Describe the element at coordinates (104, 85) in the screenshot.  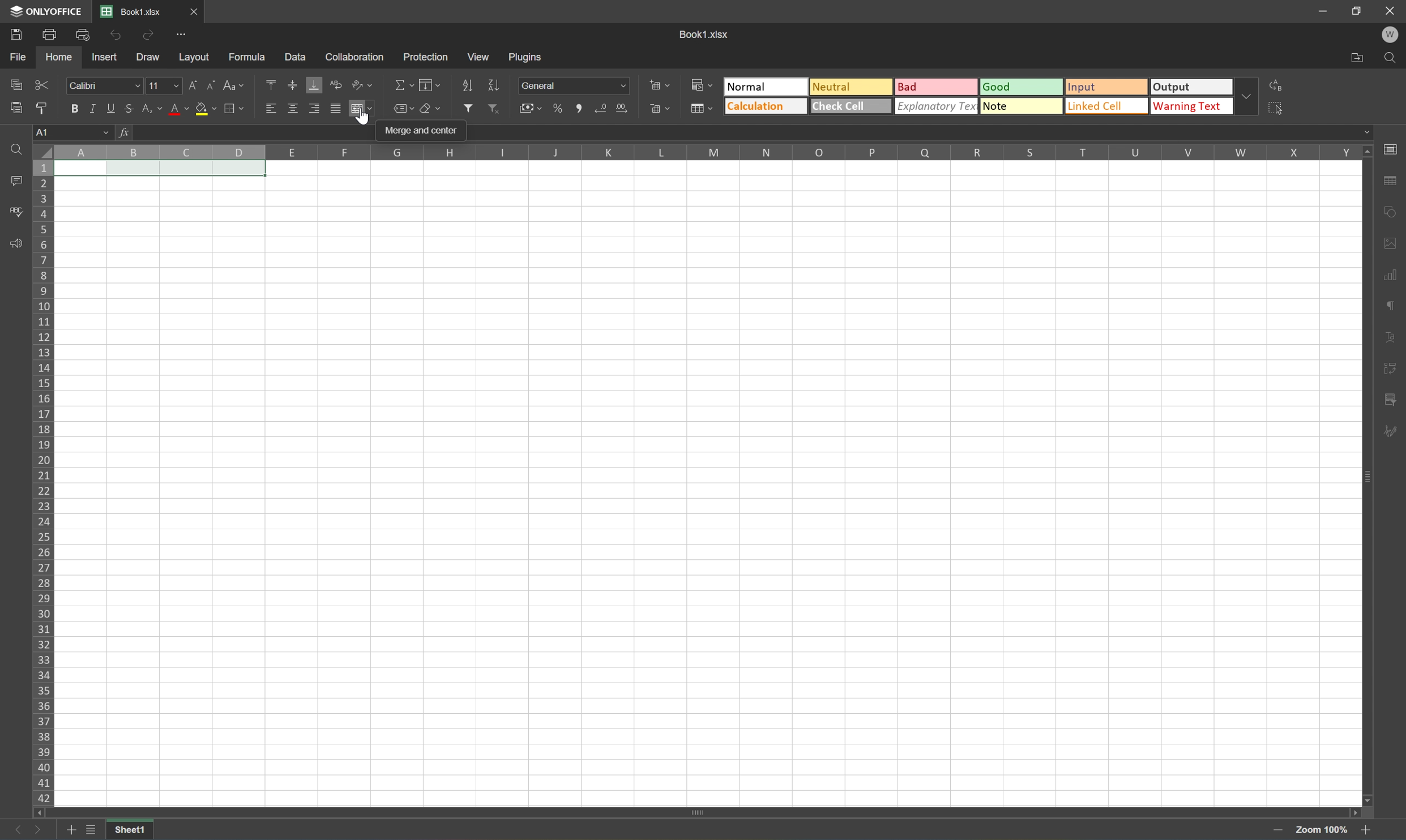
I see `Font` at that location.